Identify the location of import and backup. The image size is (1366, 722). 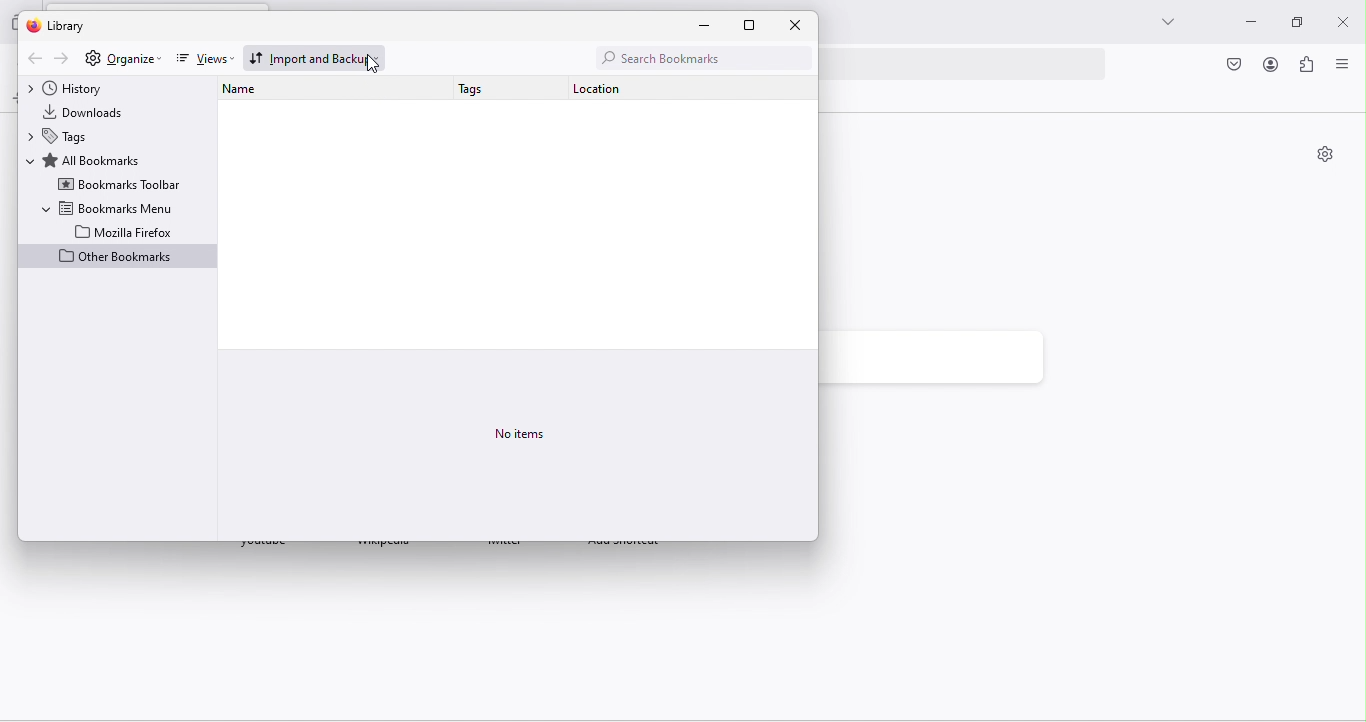
(316, 56).